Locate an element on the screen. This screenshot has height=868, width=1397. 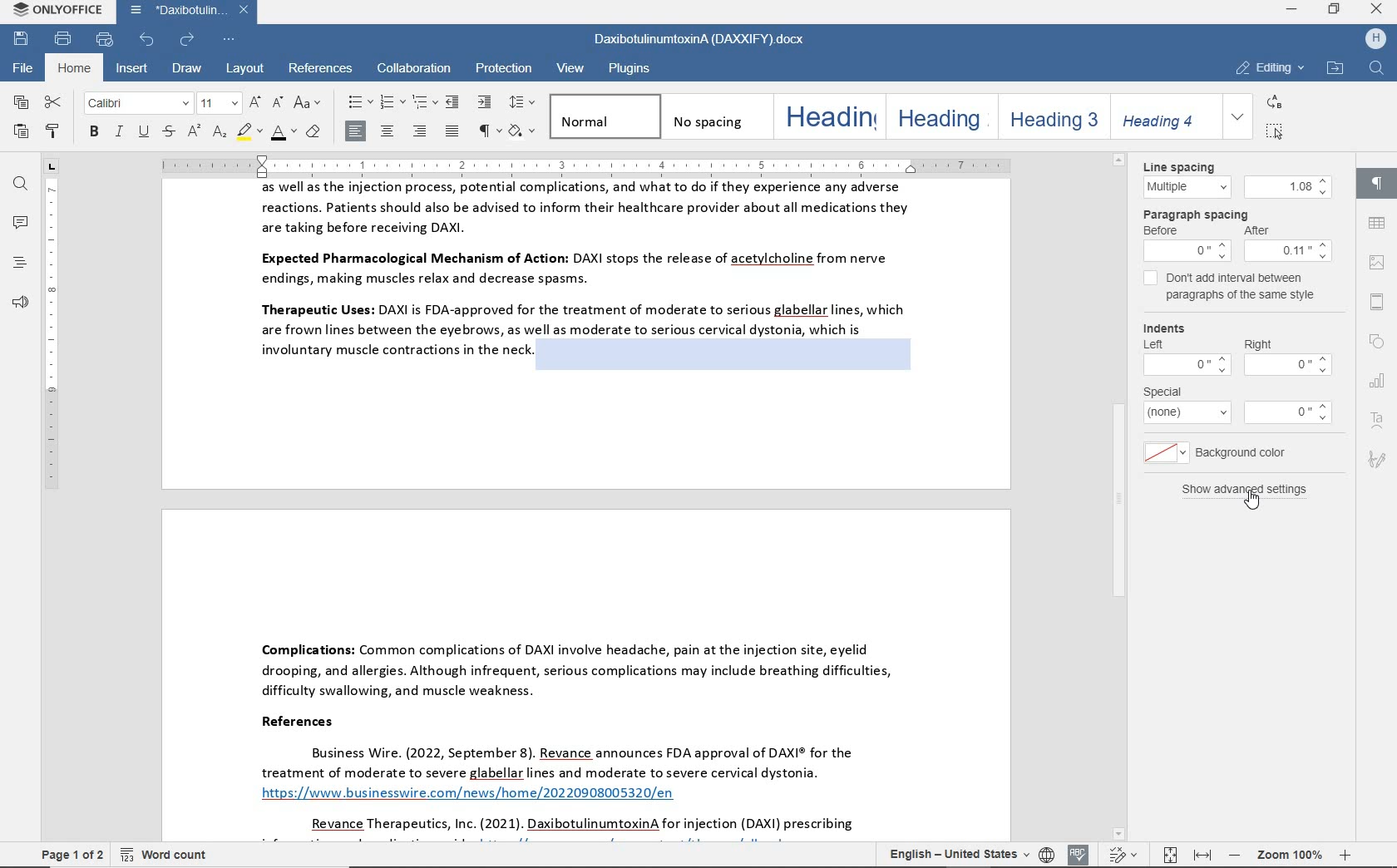
word count is located at coordinates (167, 853).